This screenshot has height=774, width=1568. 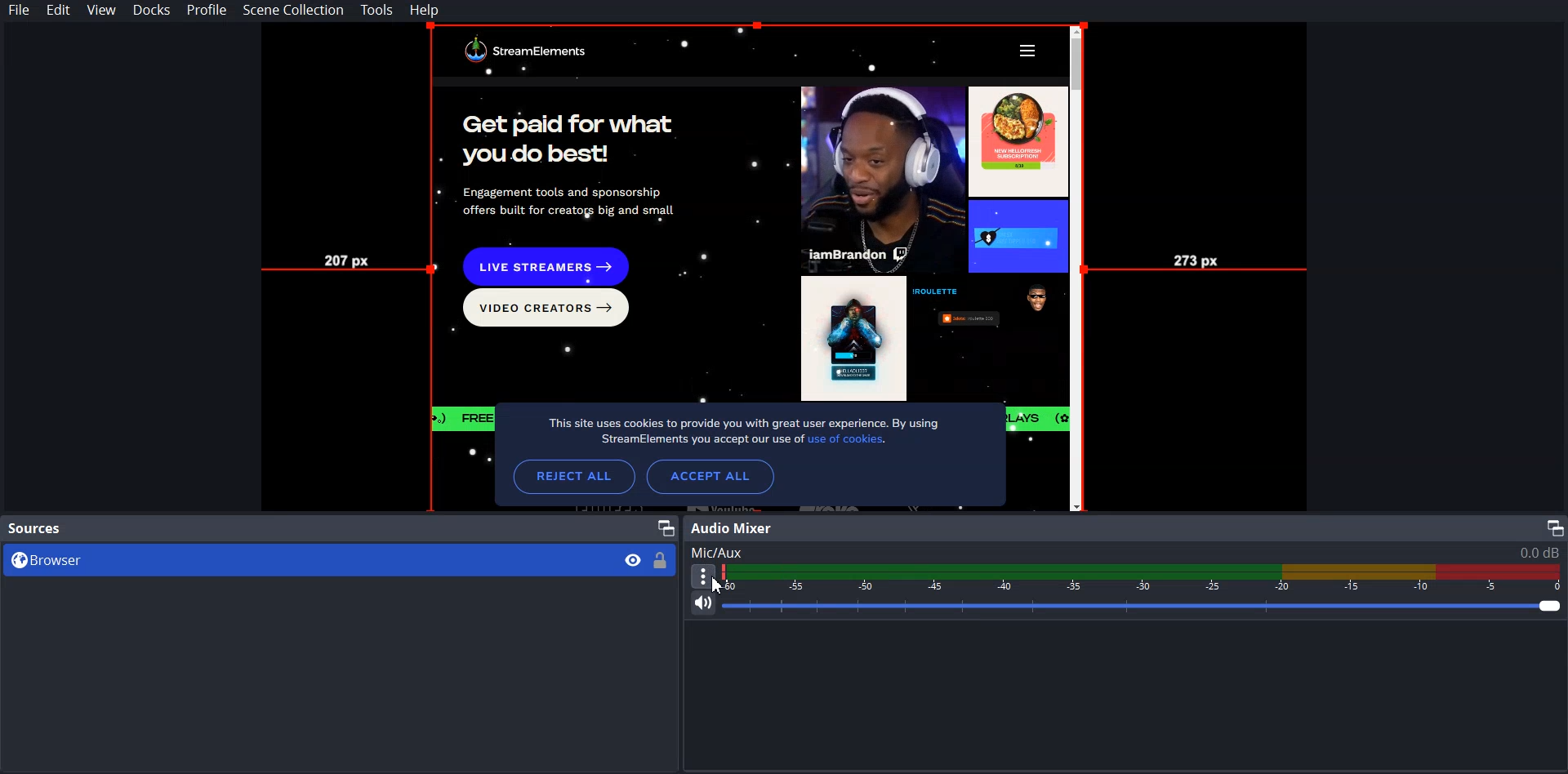 What do you see at coordinates (1145, 605) in the screenshot?
I see `Volume Adjuster` at bounding box center [1145, 605].